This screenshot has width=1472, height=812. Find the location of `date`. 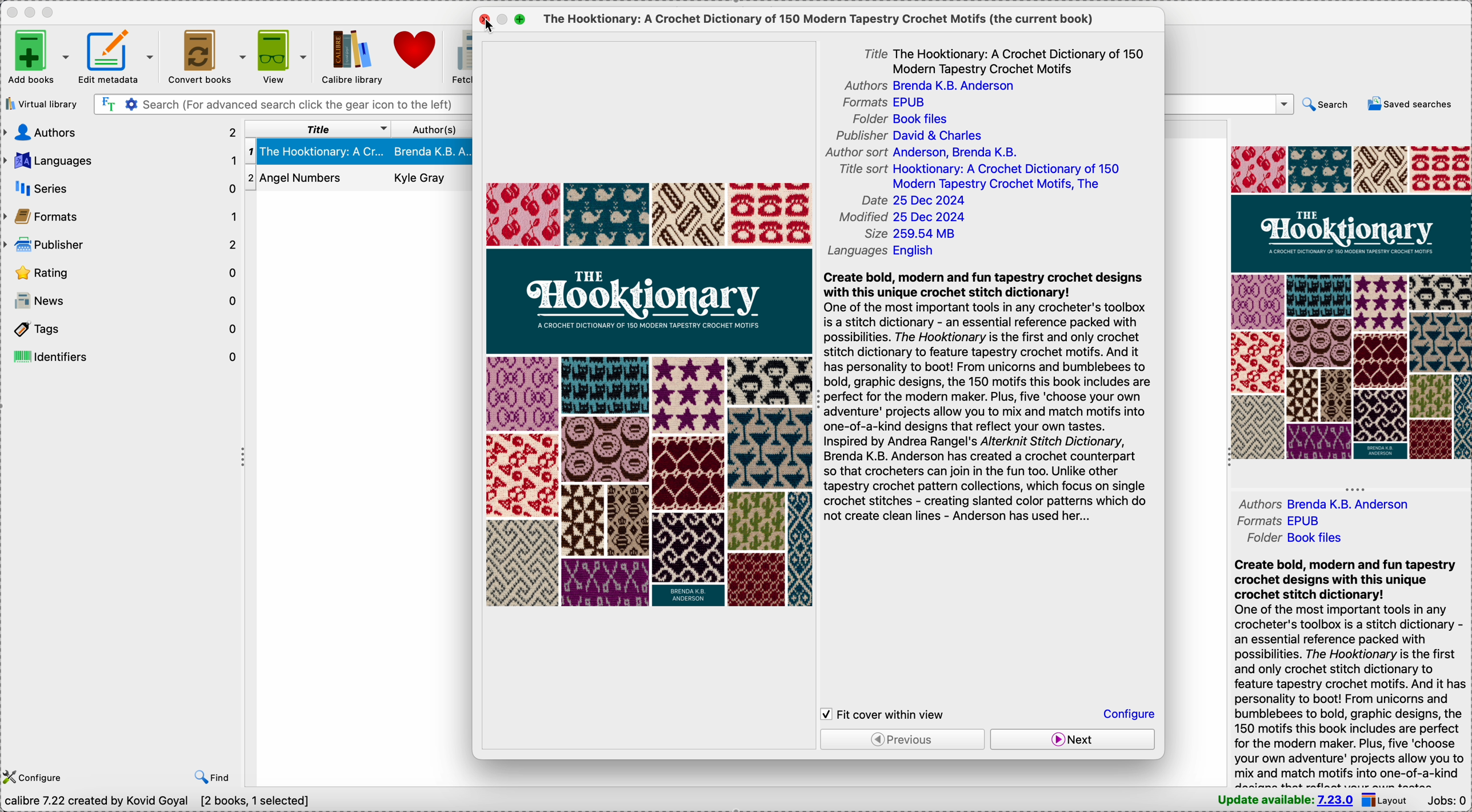

date is located at coordinates (915, 201).